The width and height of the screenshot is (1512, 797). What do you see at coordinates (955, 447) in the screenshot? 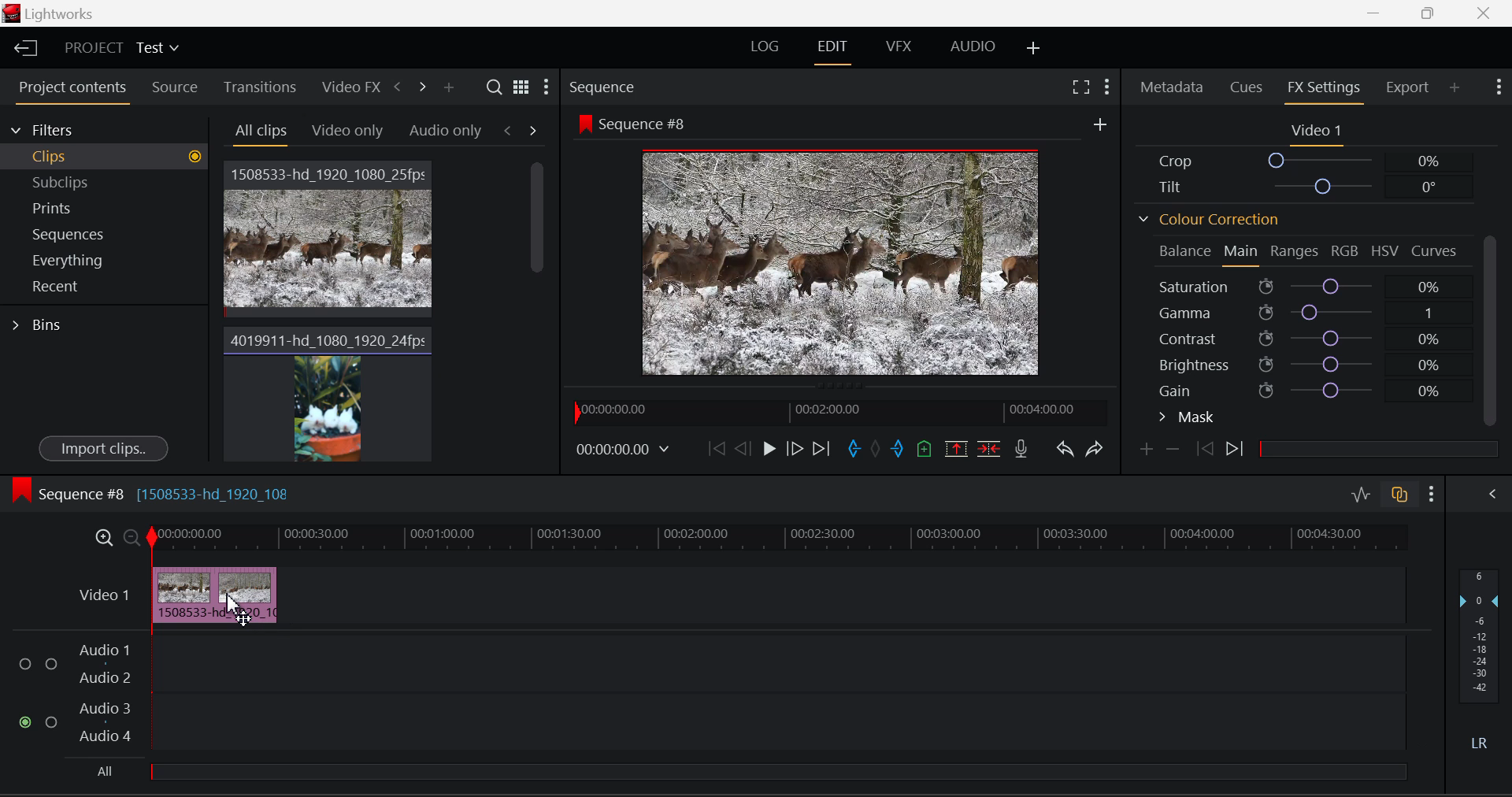
I see `Remove marked section` at bounding box center [955, 447].